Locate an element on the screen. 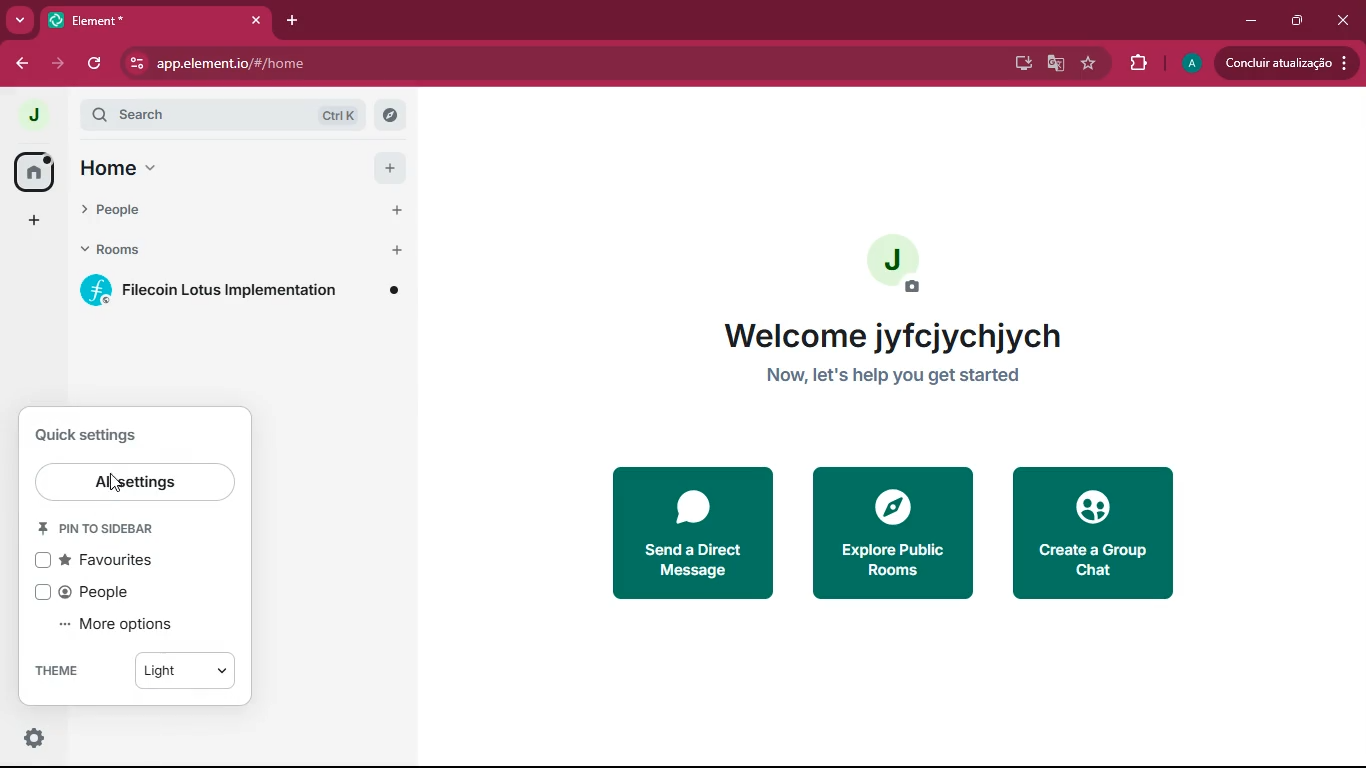 Image resolution: width=1366 pixels, height=768 pixels. j is located at coordinates (30, 117).